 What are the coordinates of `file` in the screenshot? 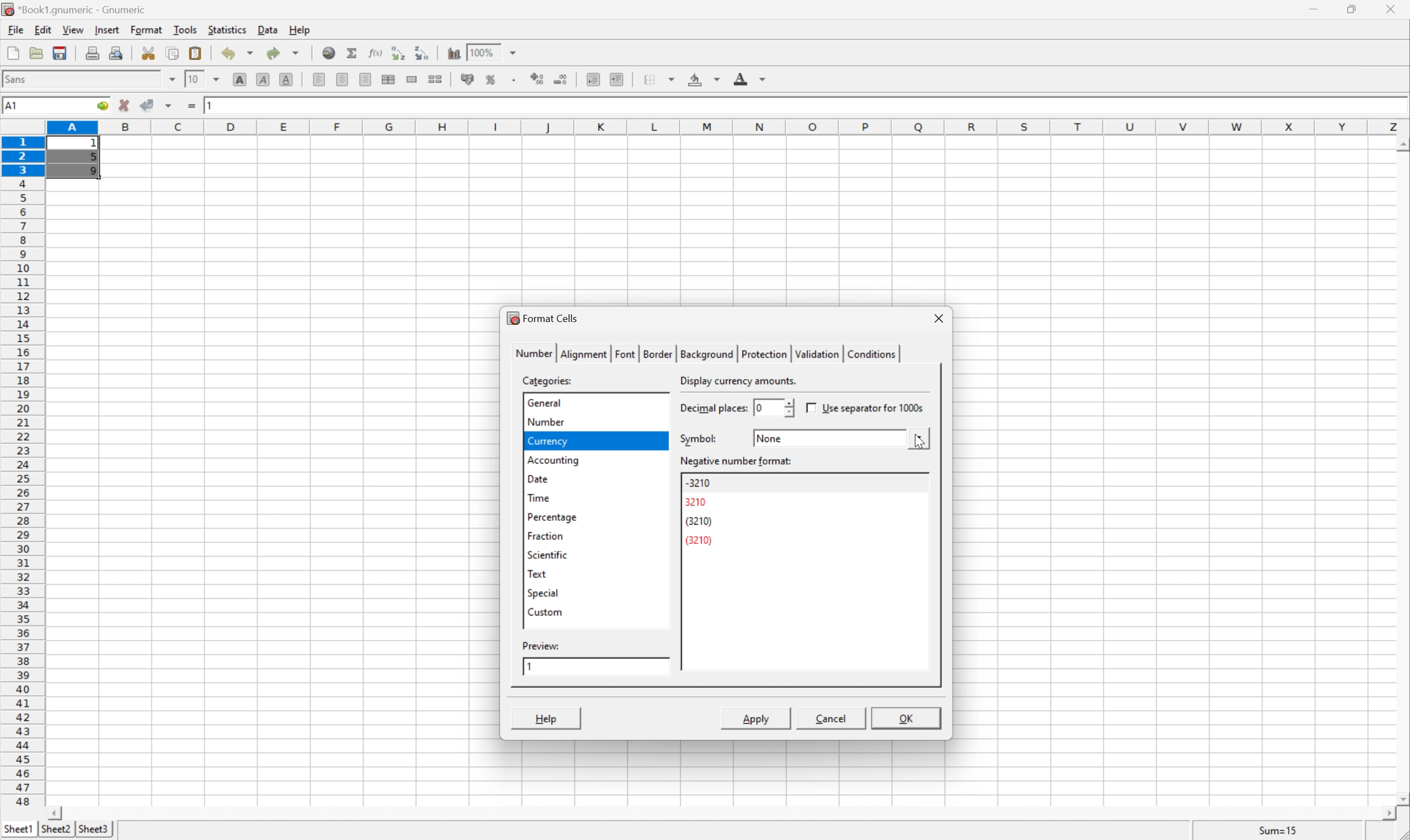 It's located at (14, 28).